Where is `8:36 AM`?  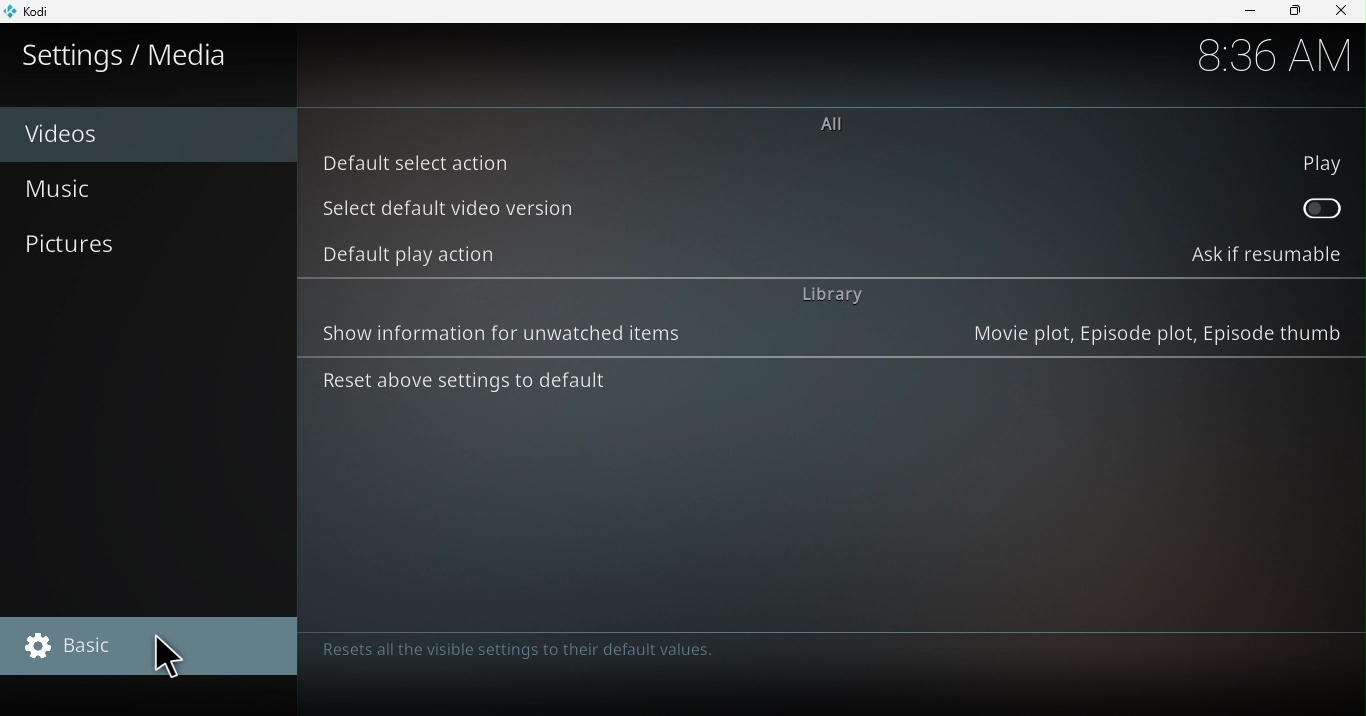 8:36 AM is located at coordinates (1272, 58).